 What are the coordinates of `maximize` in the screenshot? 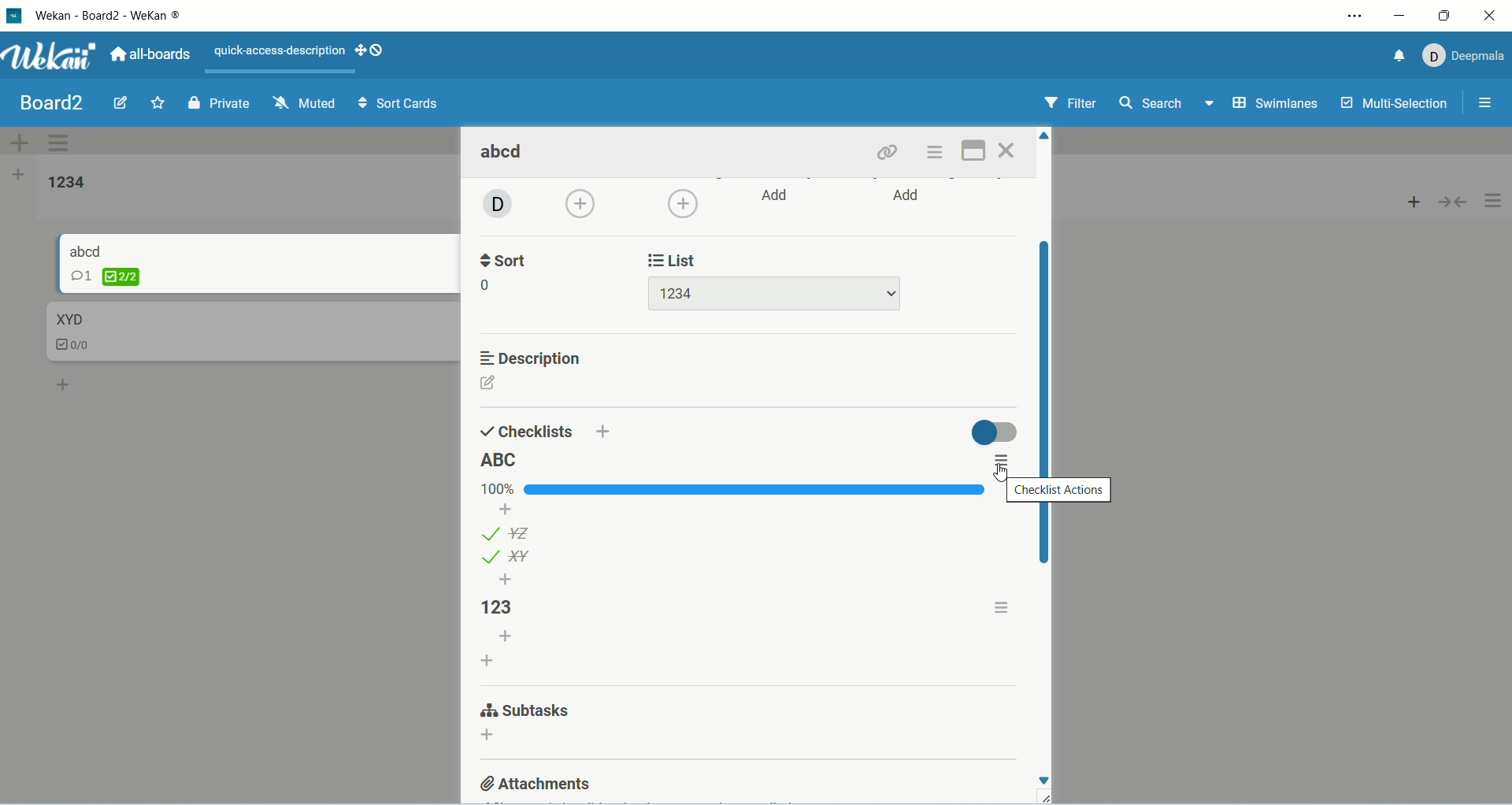 It's located at (972, 152).